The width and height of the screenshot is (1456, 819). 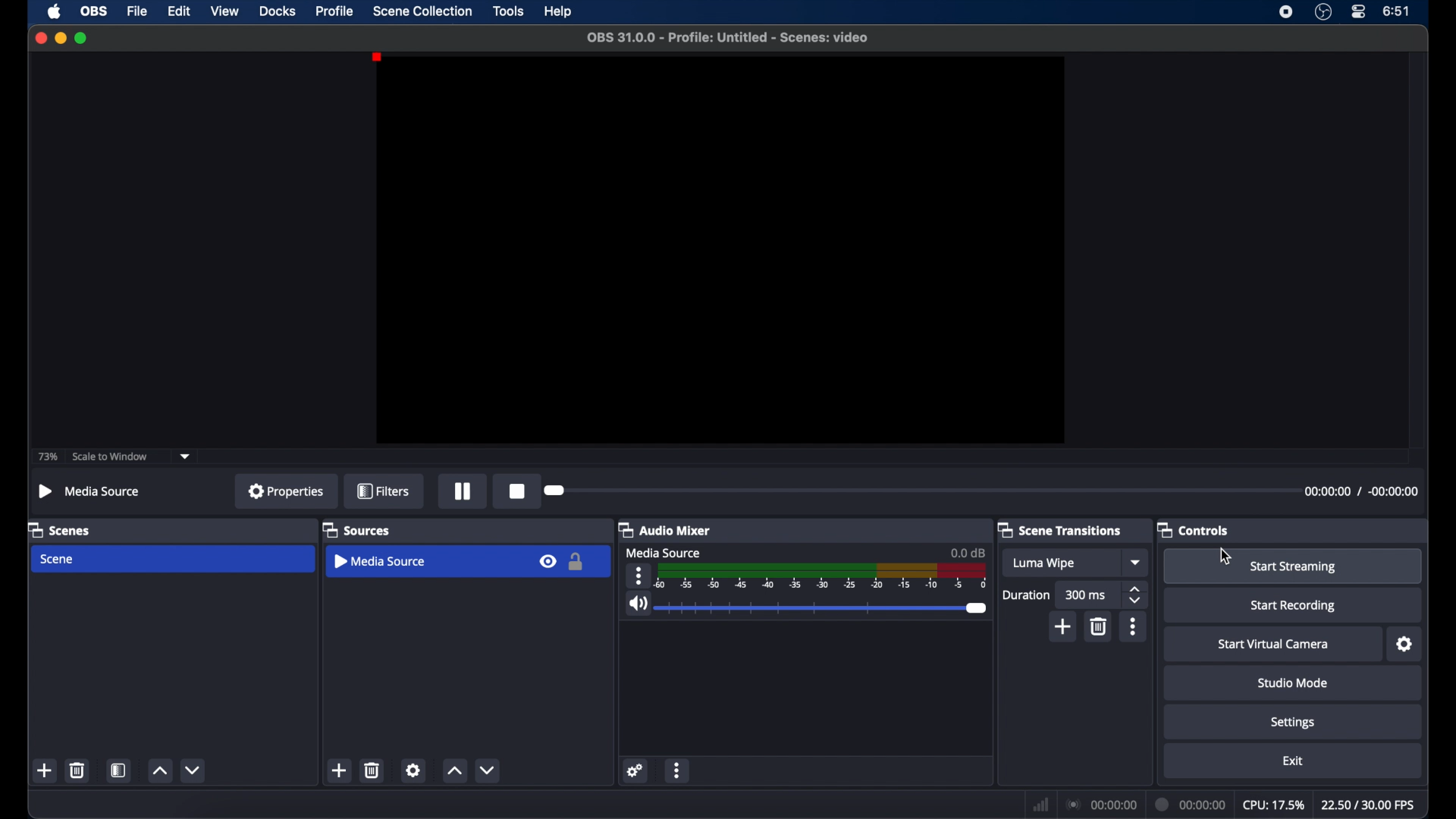 What do you see at coordinates (519, 491) in the screenshot?
I see `record` at bounding box center [519, 491].